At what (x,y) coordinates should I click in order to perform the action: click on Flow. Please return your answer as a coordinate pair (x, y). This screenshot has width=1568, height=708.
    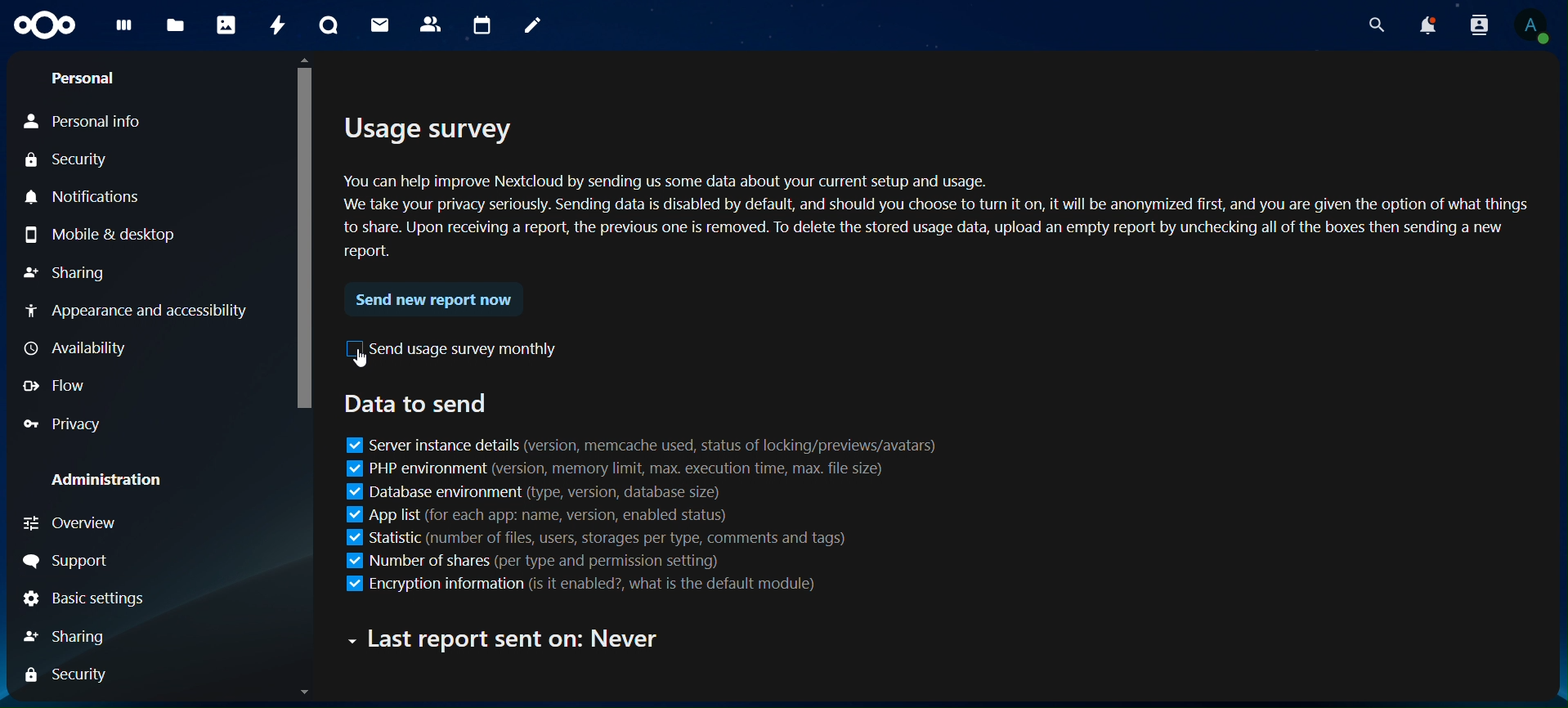
    Looking at the image, I should click on (57, 387).